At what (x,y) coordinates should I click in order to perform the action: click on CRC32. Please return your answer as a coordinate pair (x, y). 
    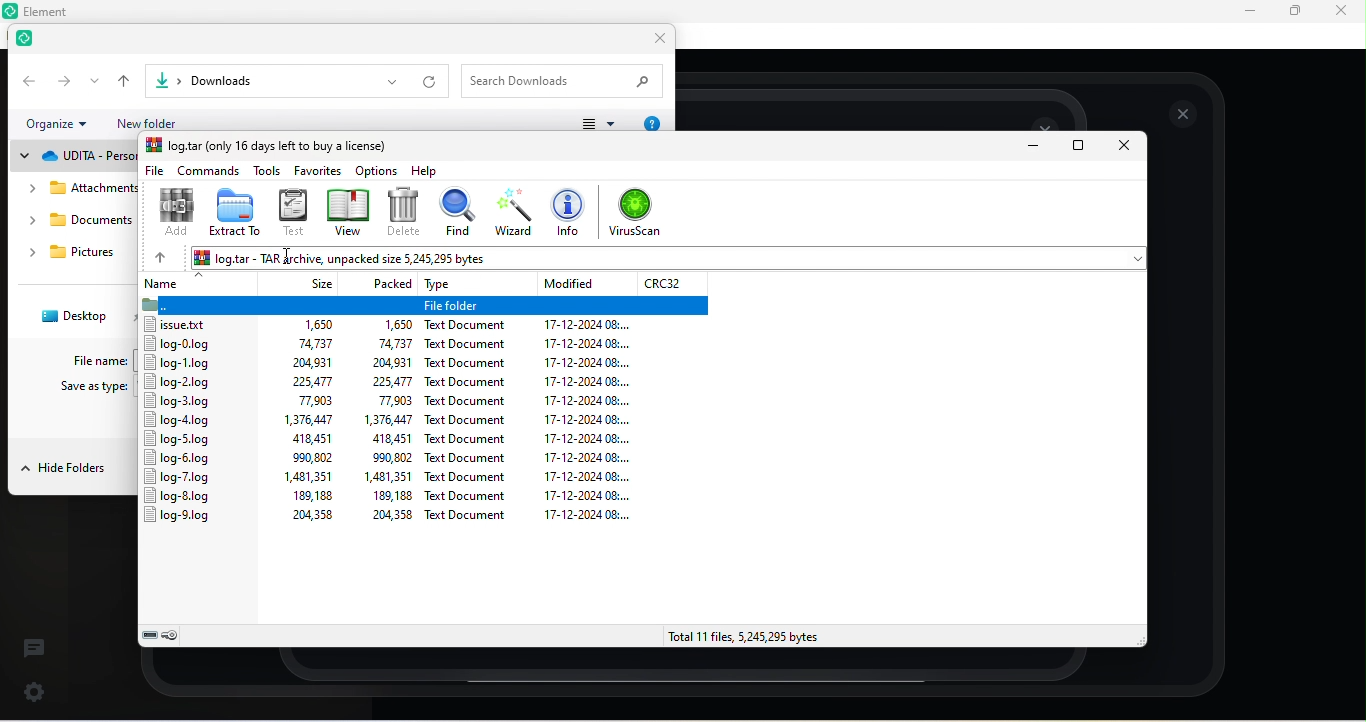
    Looking at the image, I should click on (675, 285).